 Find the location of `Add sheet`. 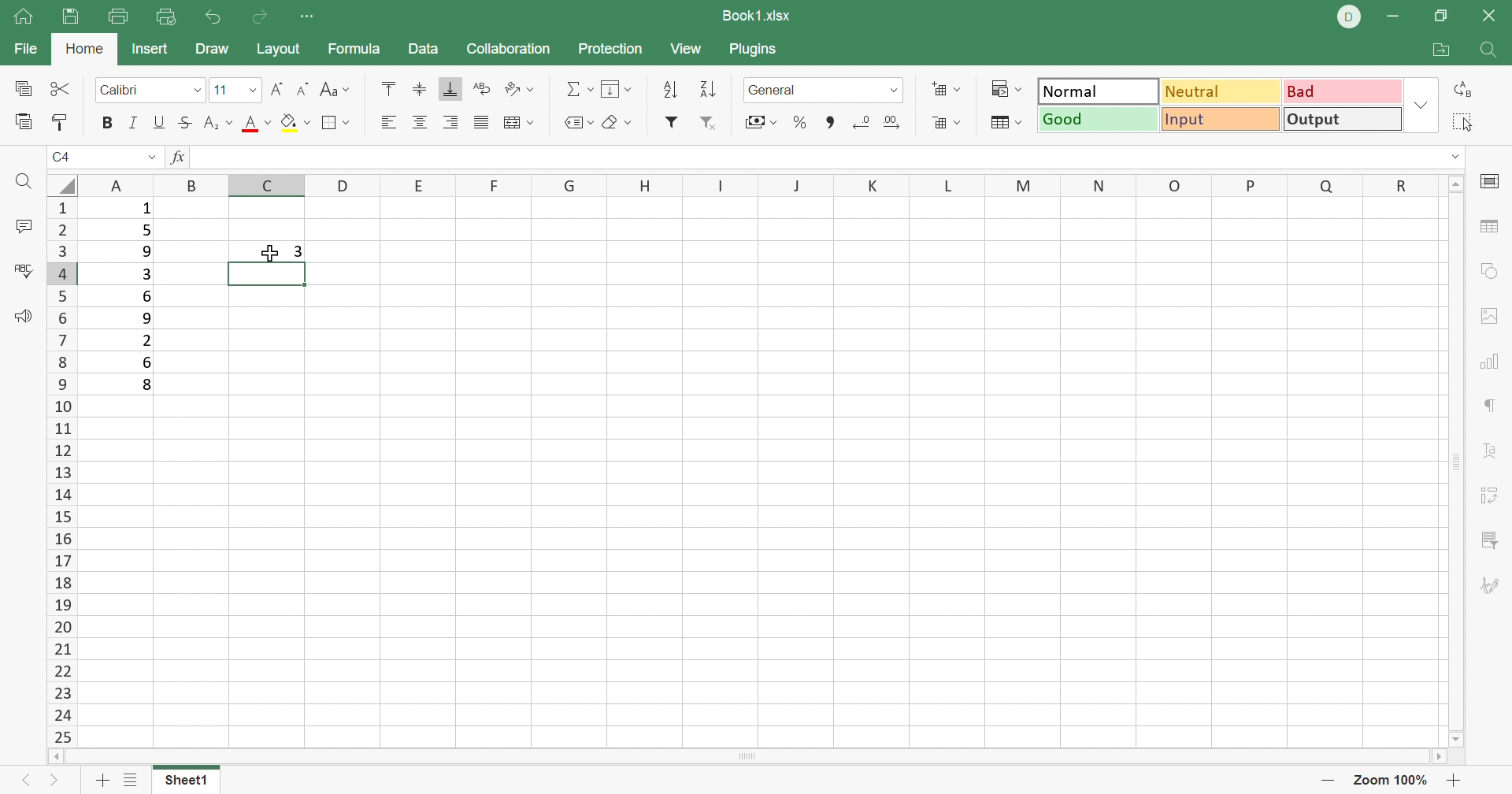

Add sheet is located at coordinates (102, 781).